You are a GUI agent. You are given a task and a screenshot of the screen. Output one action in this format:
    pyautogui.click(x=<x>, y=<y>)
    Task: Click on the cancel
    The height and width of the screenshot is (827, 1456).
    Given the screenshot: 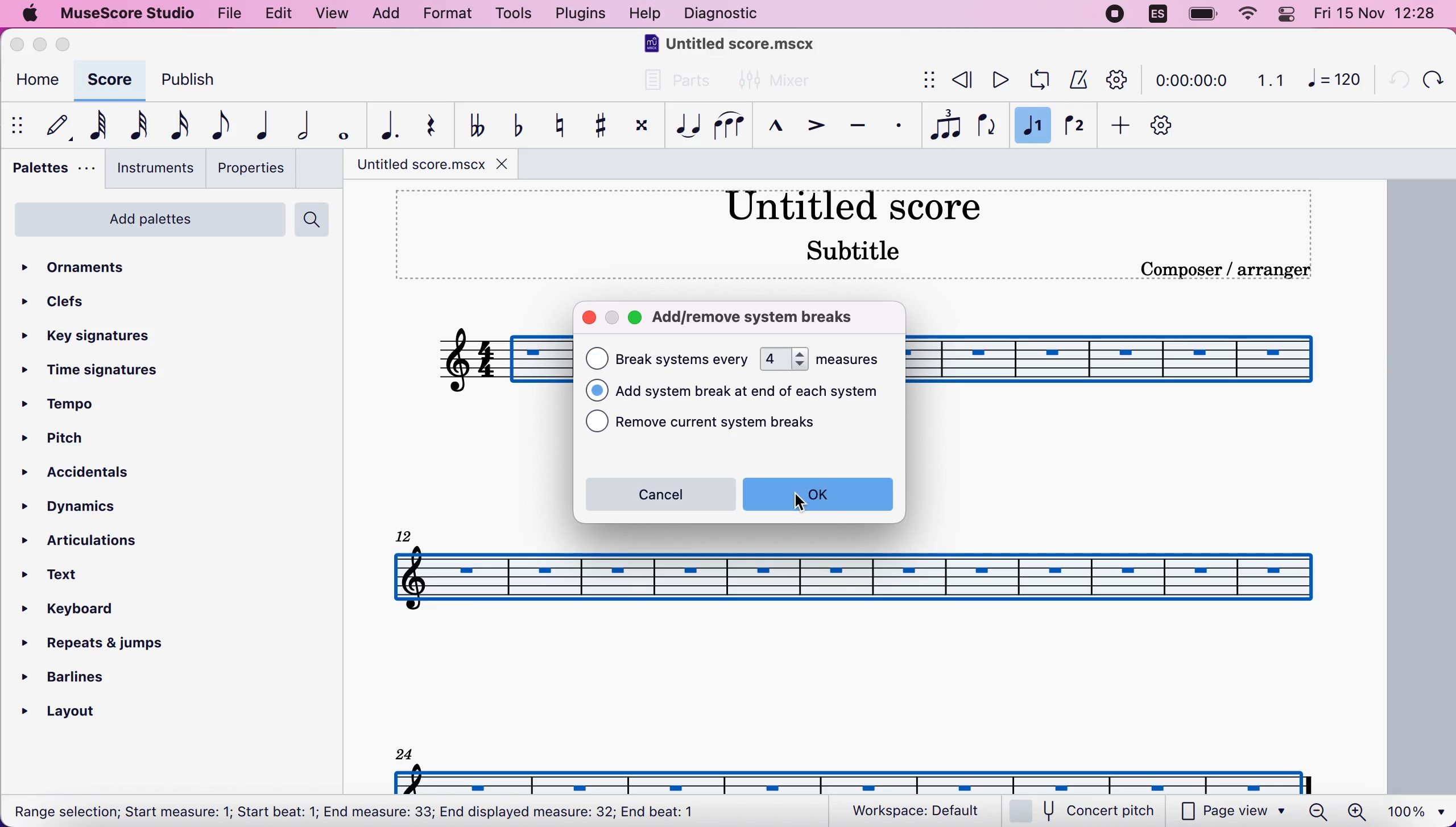 What is the action you would take?
    pyautogui.click(x=659, y=494)
    